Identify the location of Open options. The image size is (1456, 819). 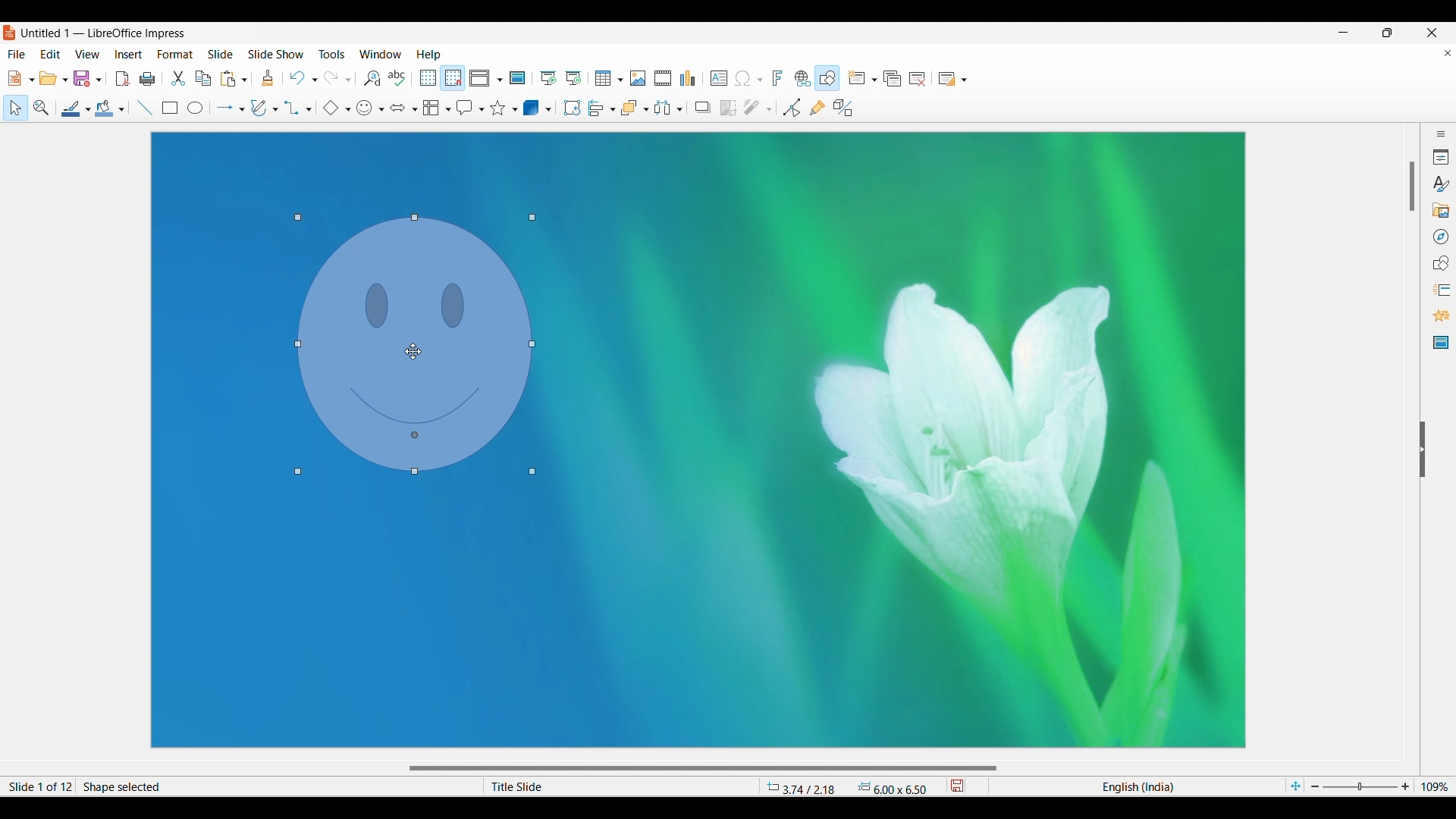
(66, 80).